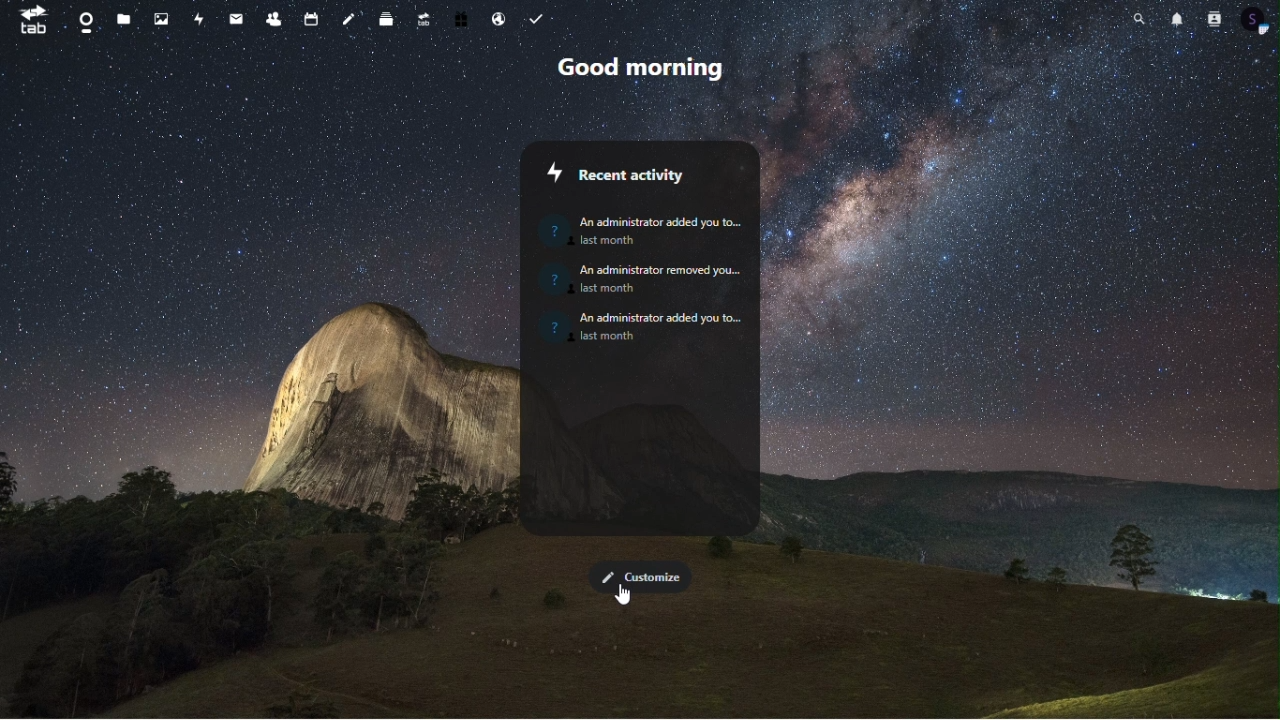 This screenshot has height=720, width=1280. Describe the element at coordinates (200, 20) in the screenshot. I see `activity` at that location.